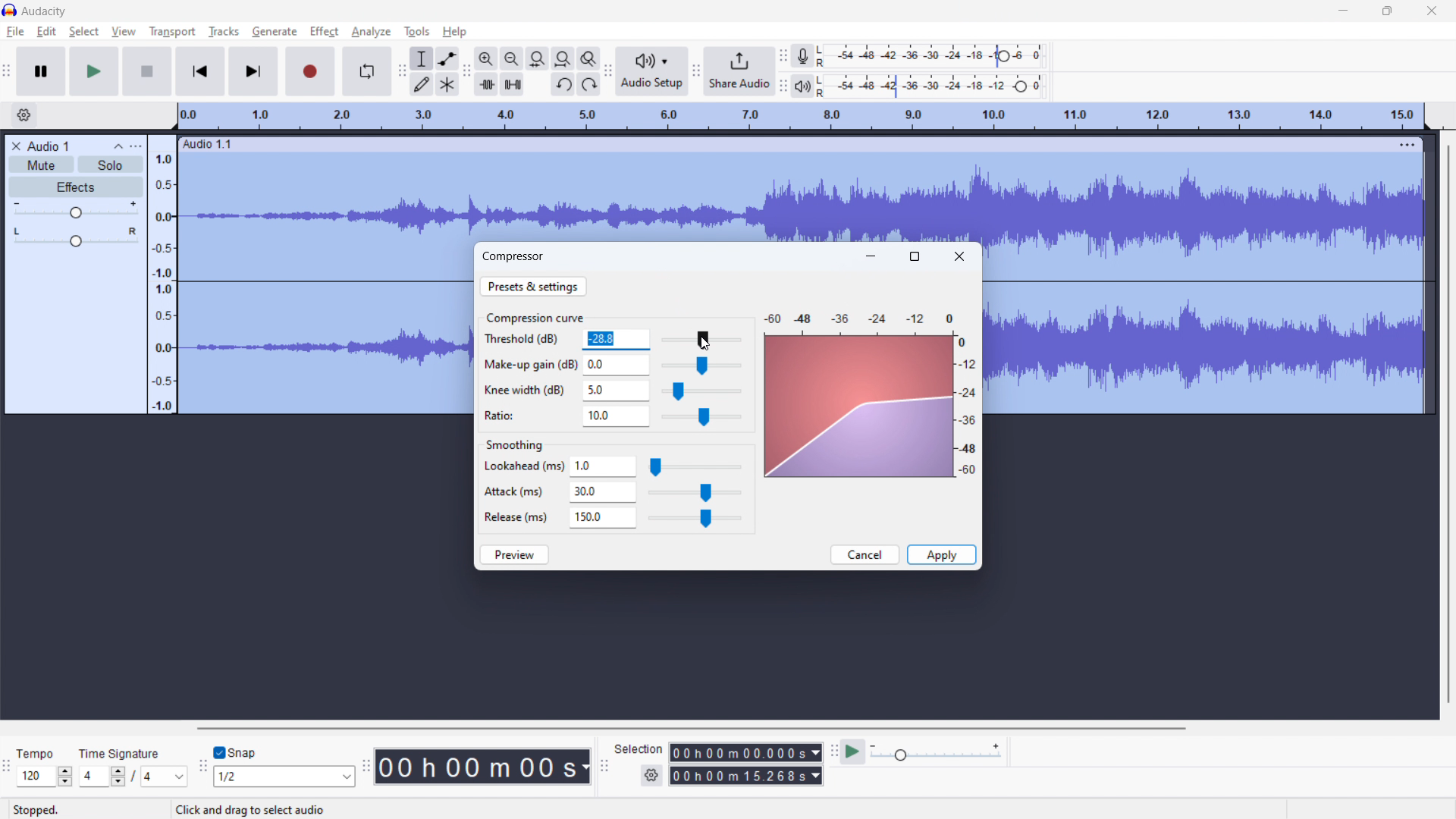 The width and height of the screenshot is (1456, 819). I want to click on Audacity logo, so click(10, 10).